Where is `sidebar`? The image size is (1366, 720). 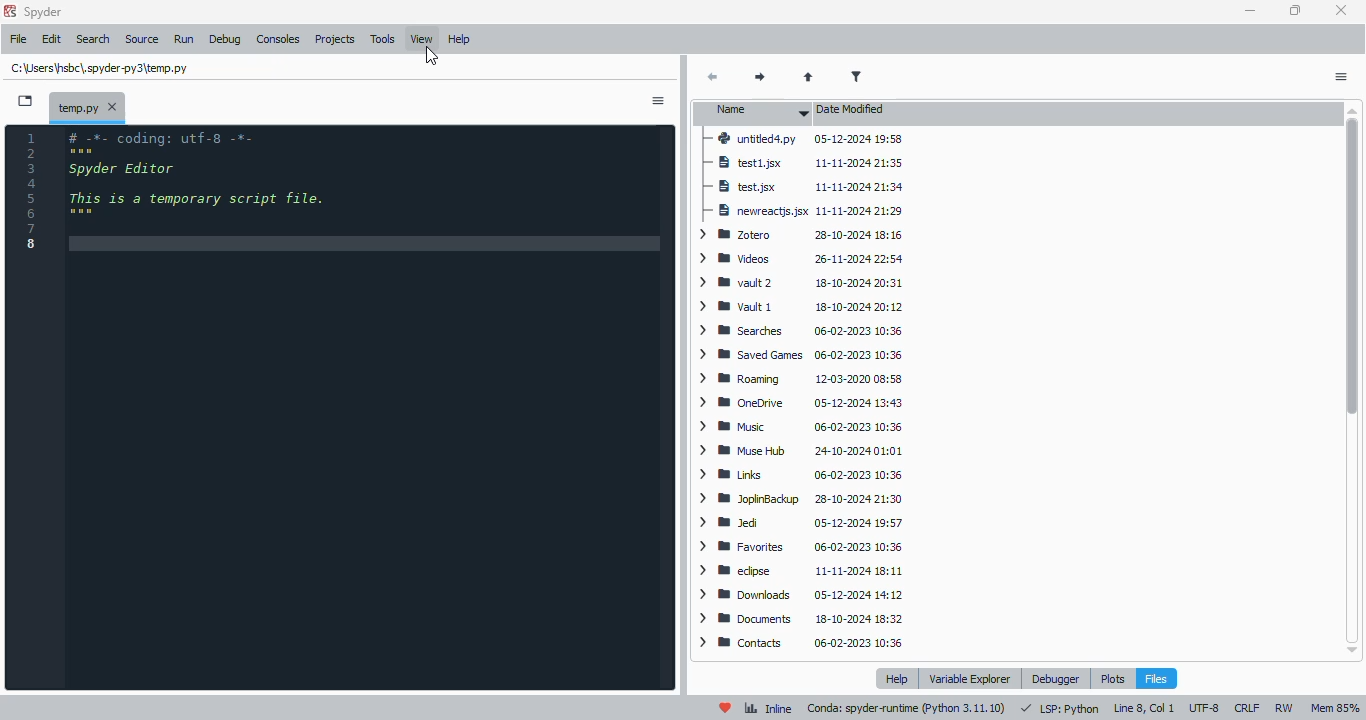 sidebar is located at coordinates (659, 102).